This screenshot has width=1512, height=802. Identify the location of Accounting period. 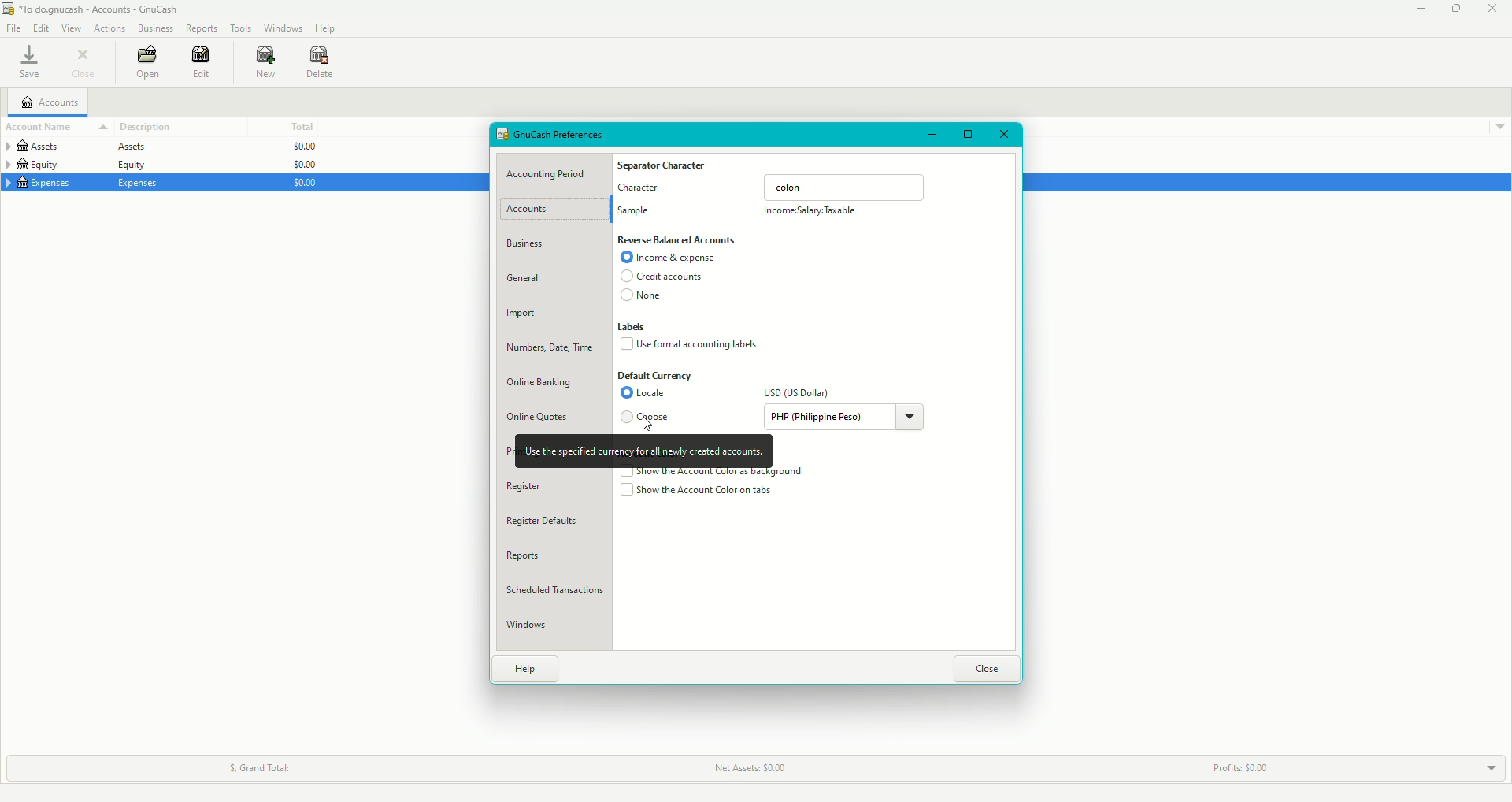
(551, 175).